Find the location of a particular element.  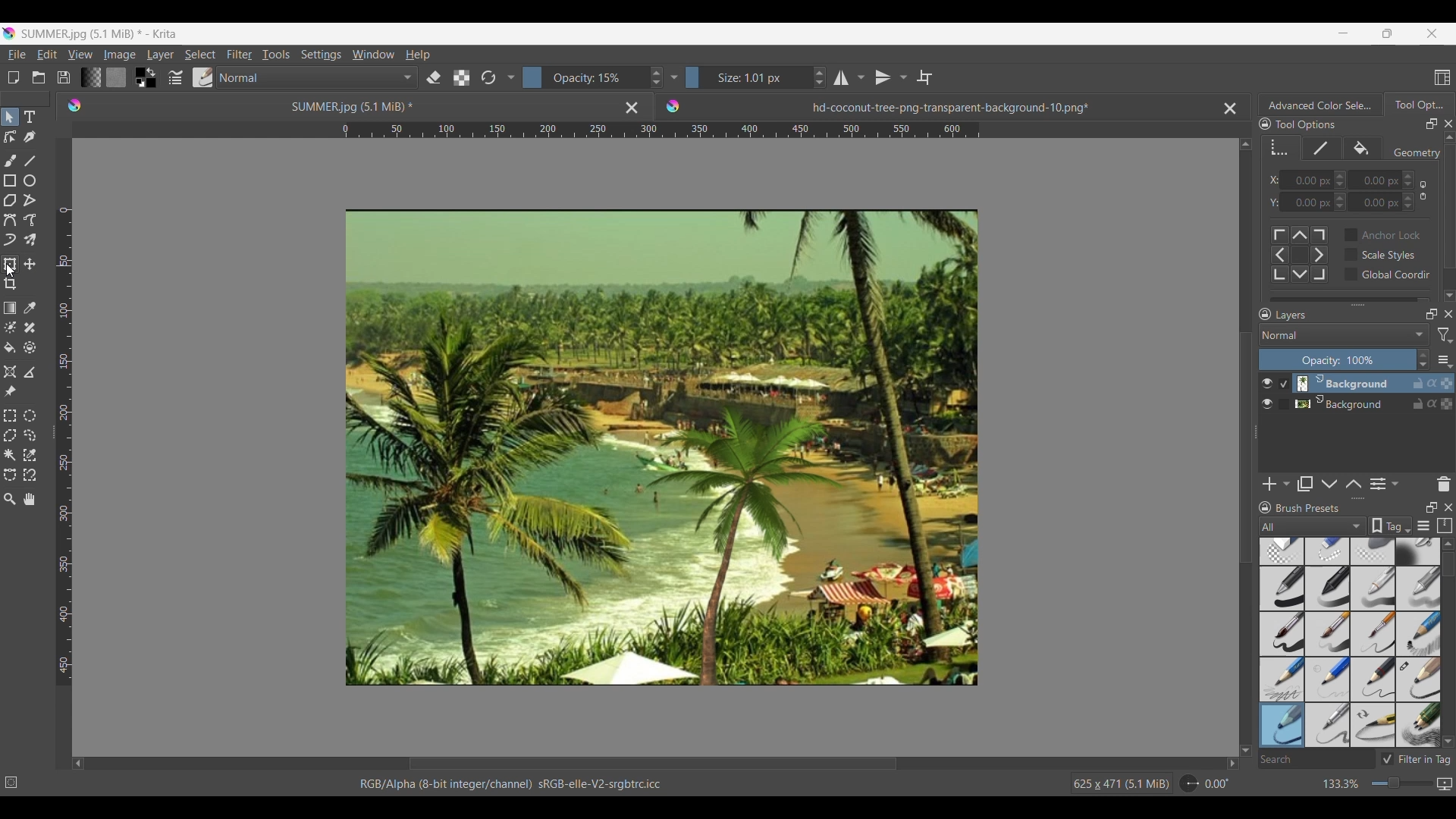

Quick slide of vertical slide bar to top is located at coordinates (1449, 137).